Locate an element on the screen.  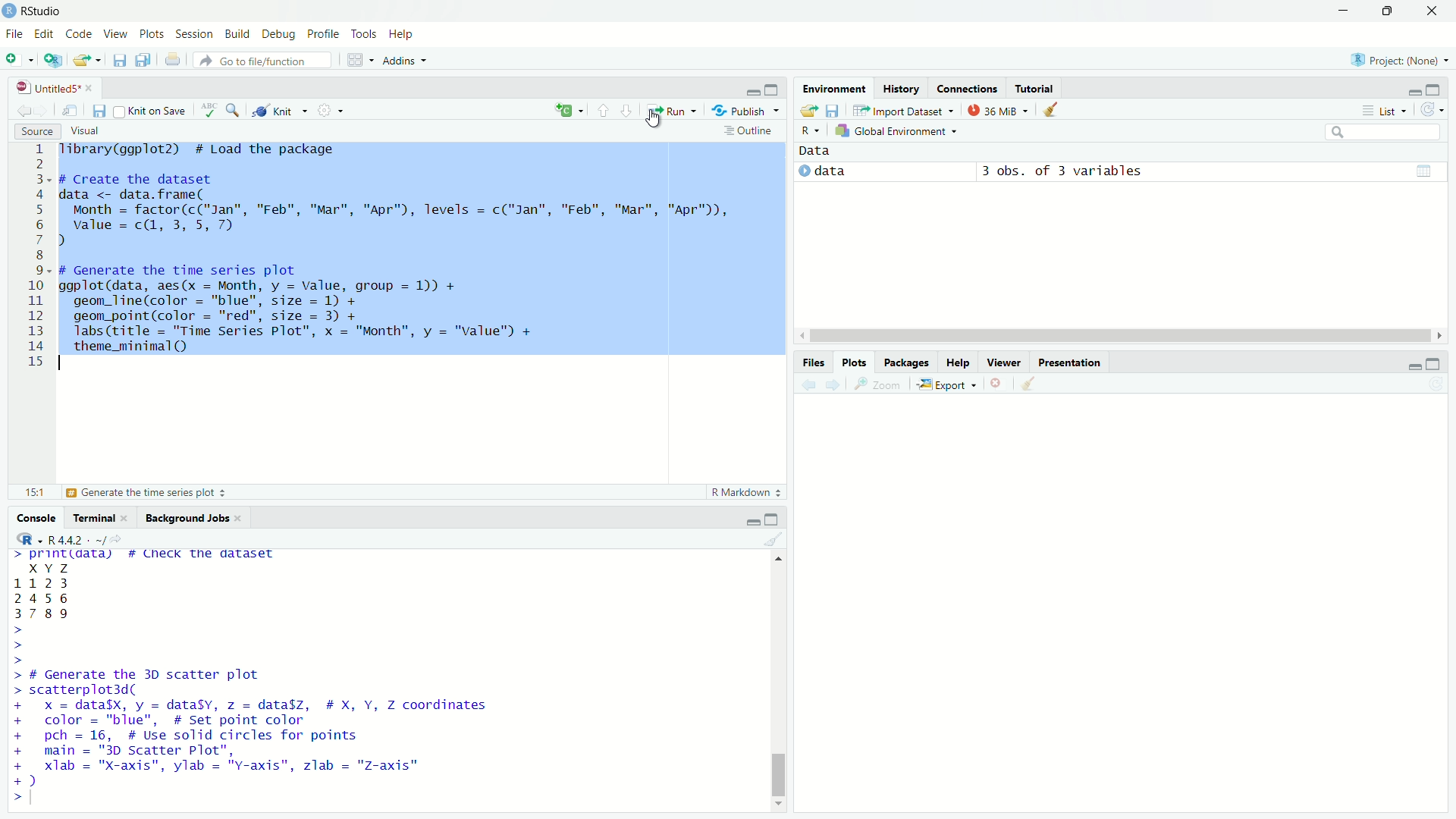
move left is located at coordinates (800, 335).